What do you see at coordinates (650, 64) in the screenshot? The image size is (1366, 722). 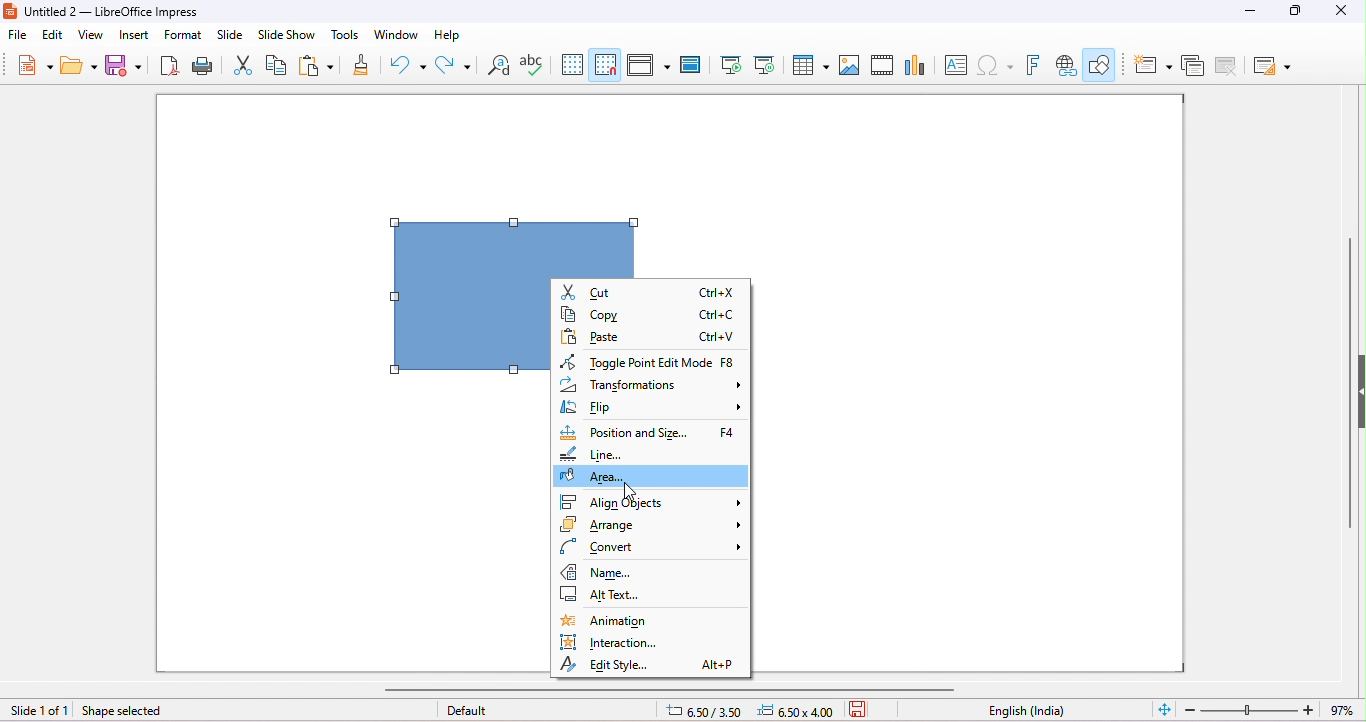 I see `display views` at bounding box center [650, 64].